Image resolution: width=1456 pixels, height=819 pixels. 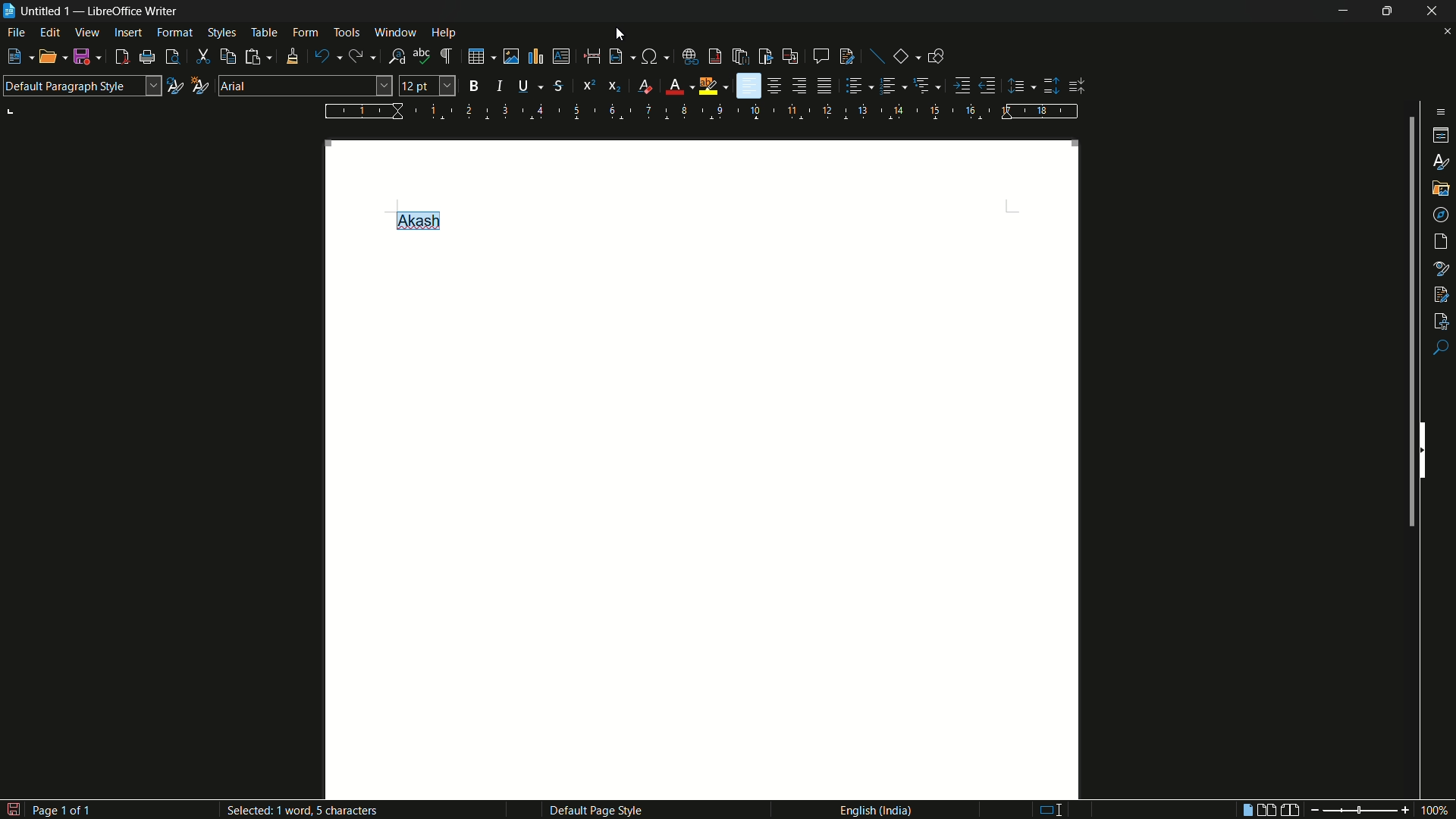 What do you see at coordinates (1436, 811) in the screenshot?
I see `scale factor` at bounding box center [1436, 811].